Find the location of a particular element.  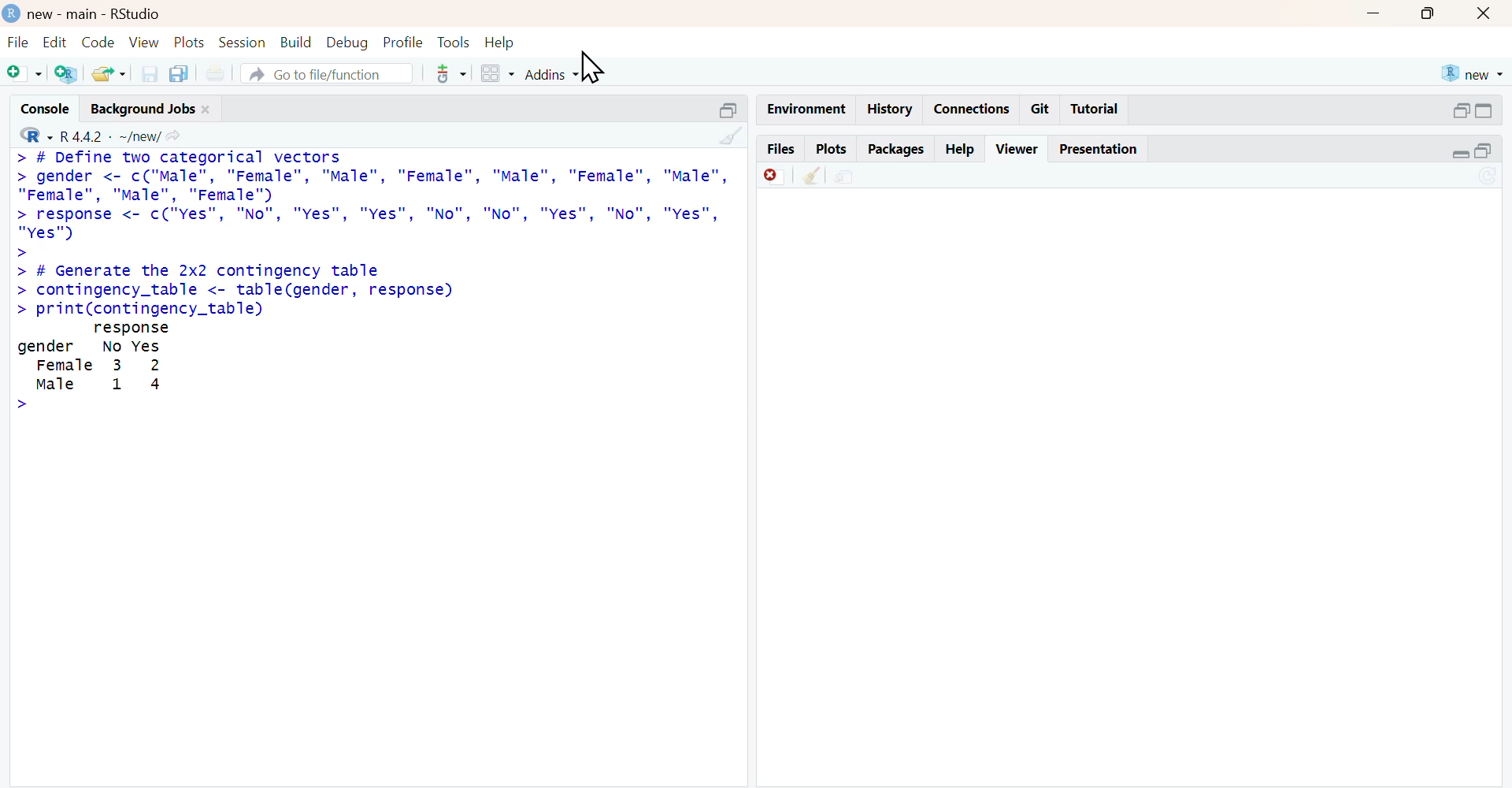

tools is located at coordinates (454, 43).